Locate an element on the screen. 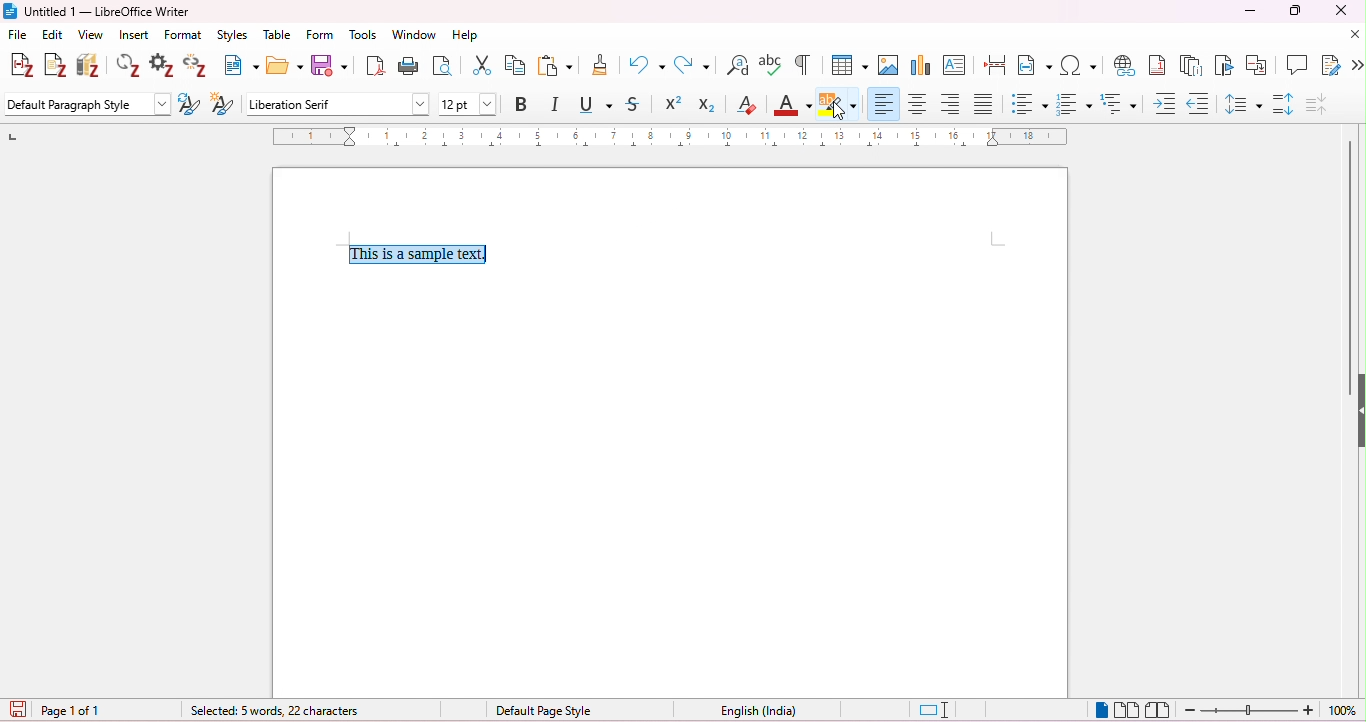  tools is located at coordinates (362, 35).